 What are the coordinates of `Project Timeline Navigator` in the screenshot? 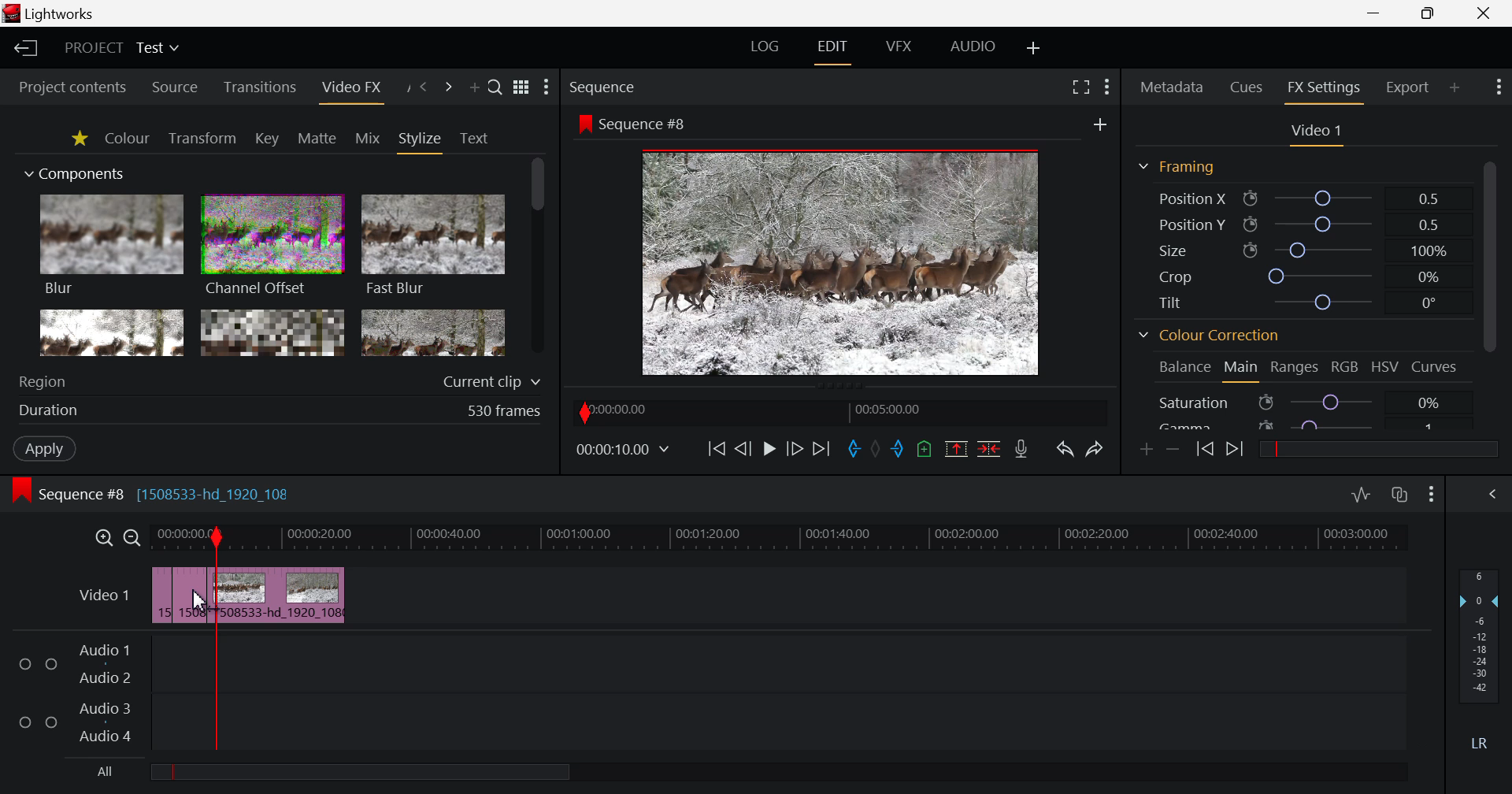 It's located at (837, 410).